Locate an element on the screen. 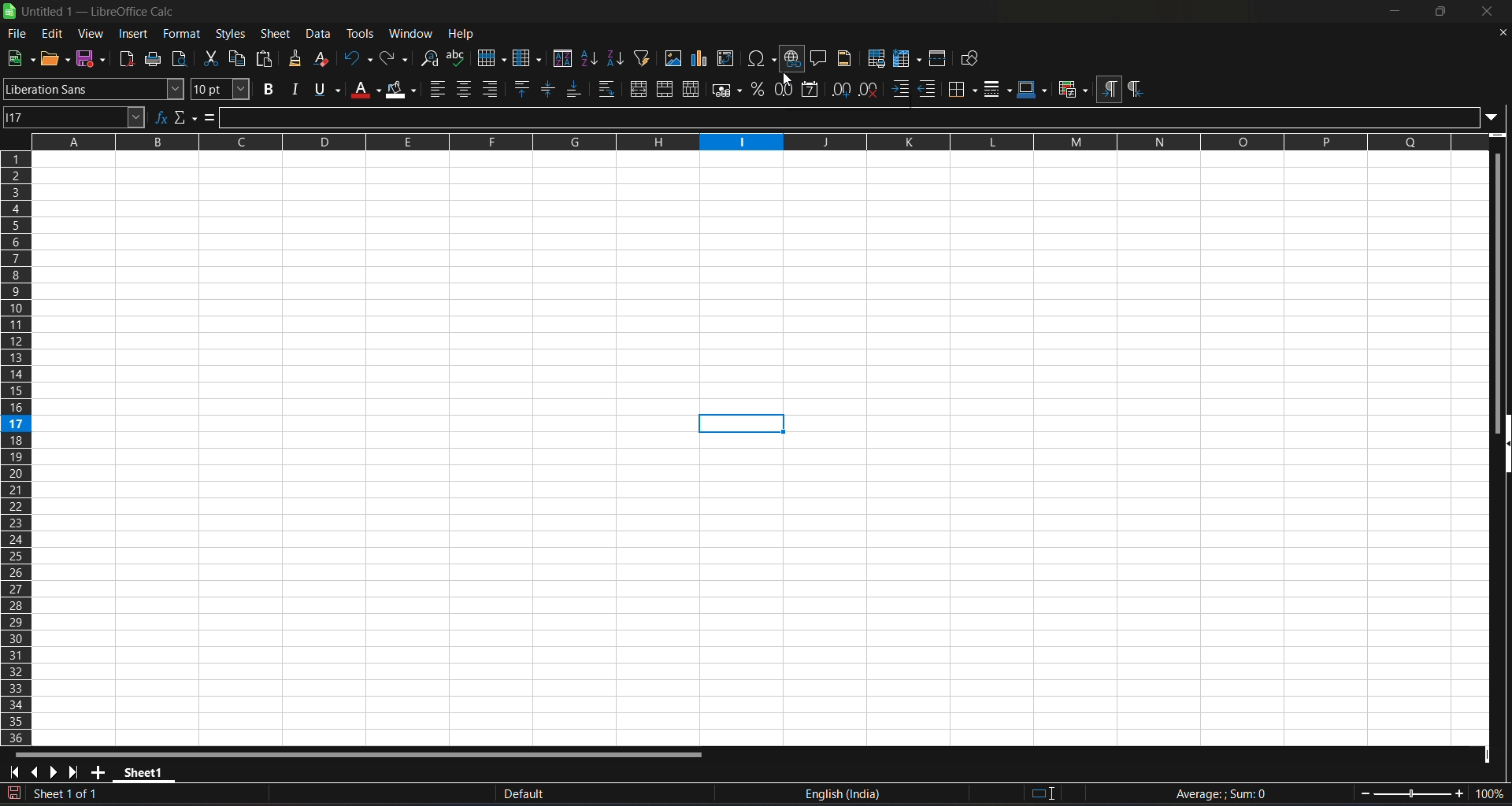 The width and height of the screenshot is (1512, 806). save is located at coordinates (92, 59).